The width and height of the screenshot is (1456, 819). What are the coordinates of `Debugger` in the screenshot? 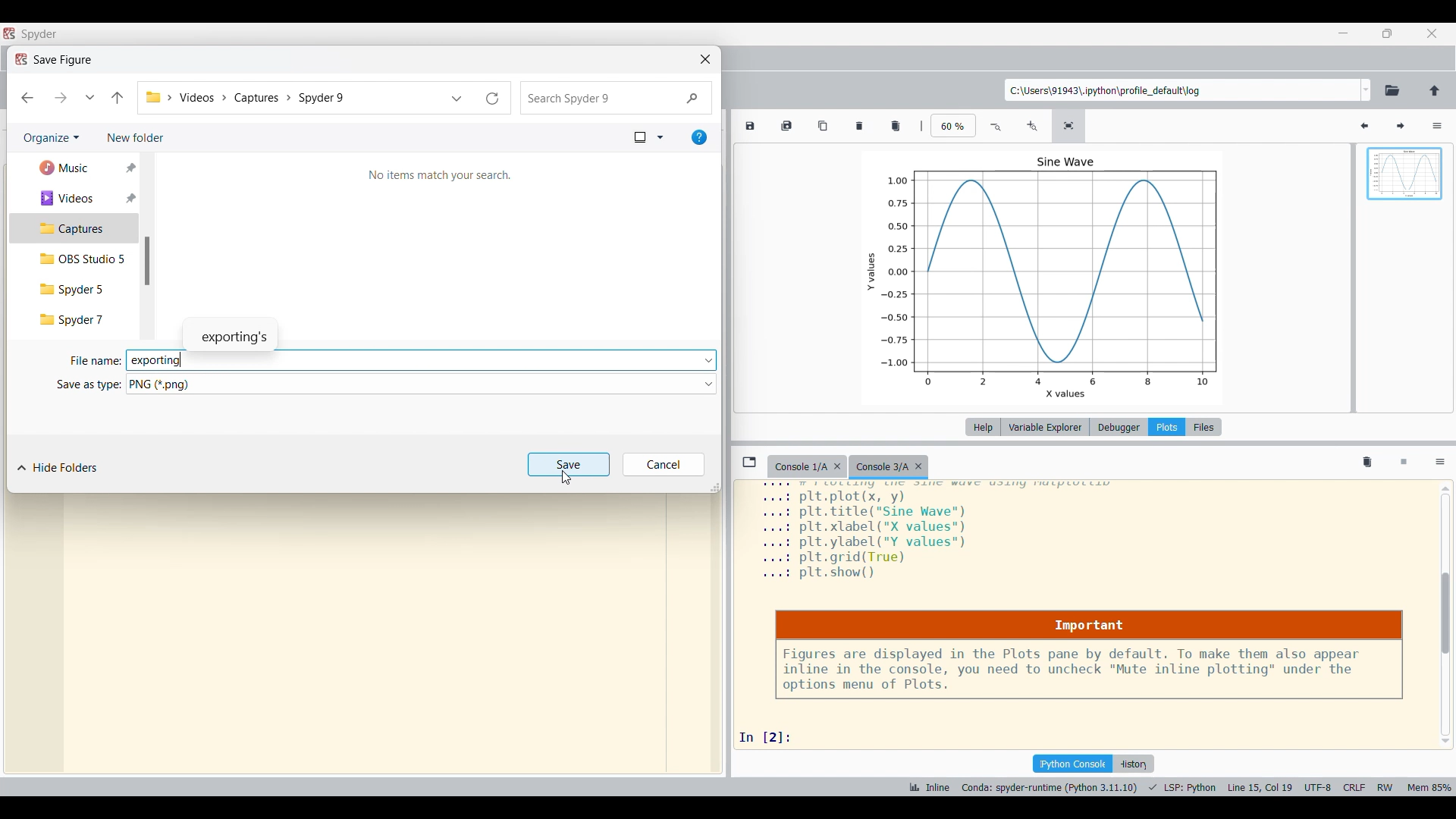 It's located at (1119, 427).